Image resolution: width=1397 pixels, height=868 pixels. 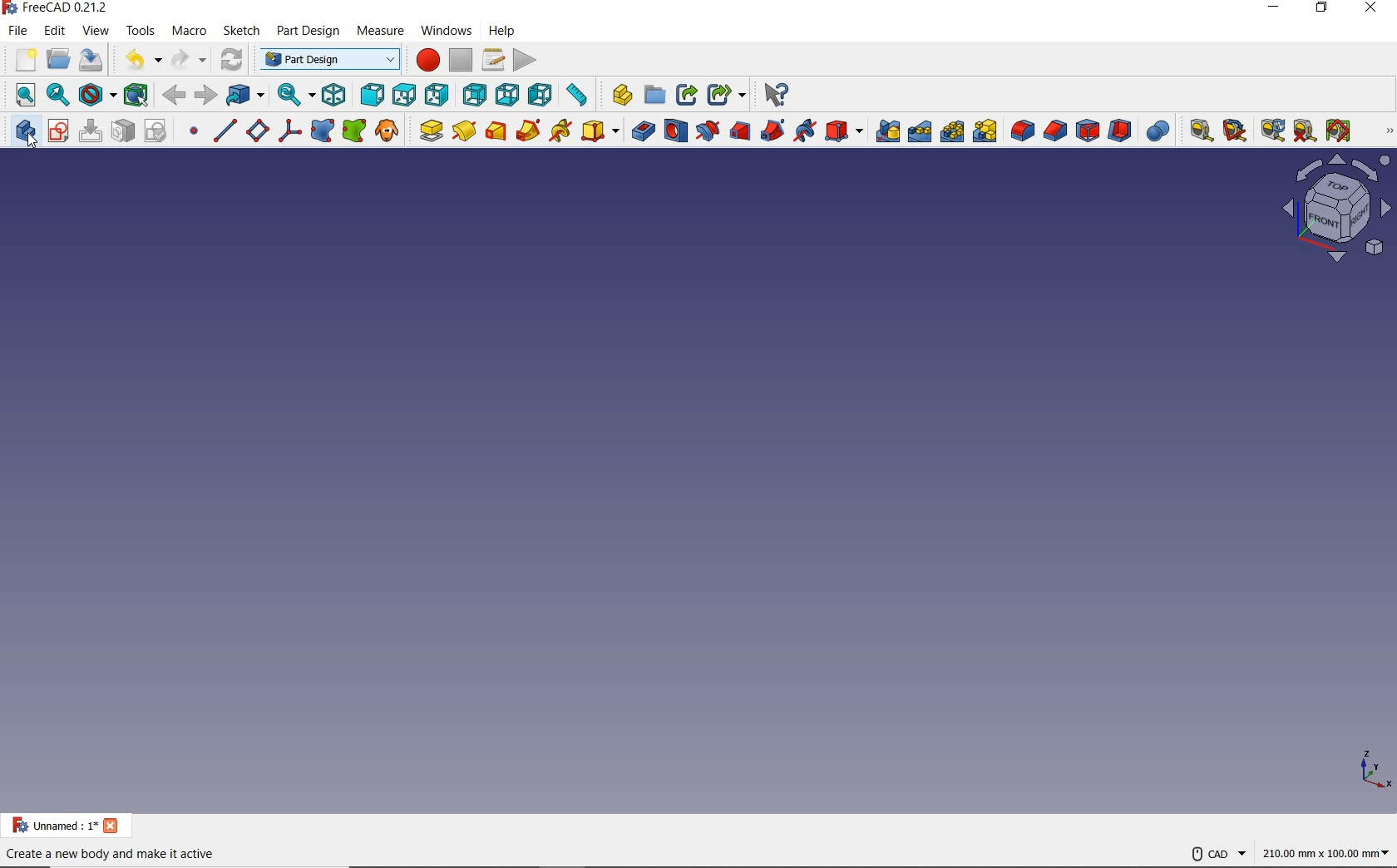 I want to click on fit all, so click(x=23, y=96).